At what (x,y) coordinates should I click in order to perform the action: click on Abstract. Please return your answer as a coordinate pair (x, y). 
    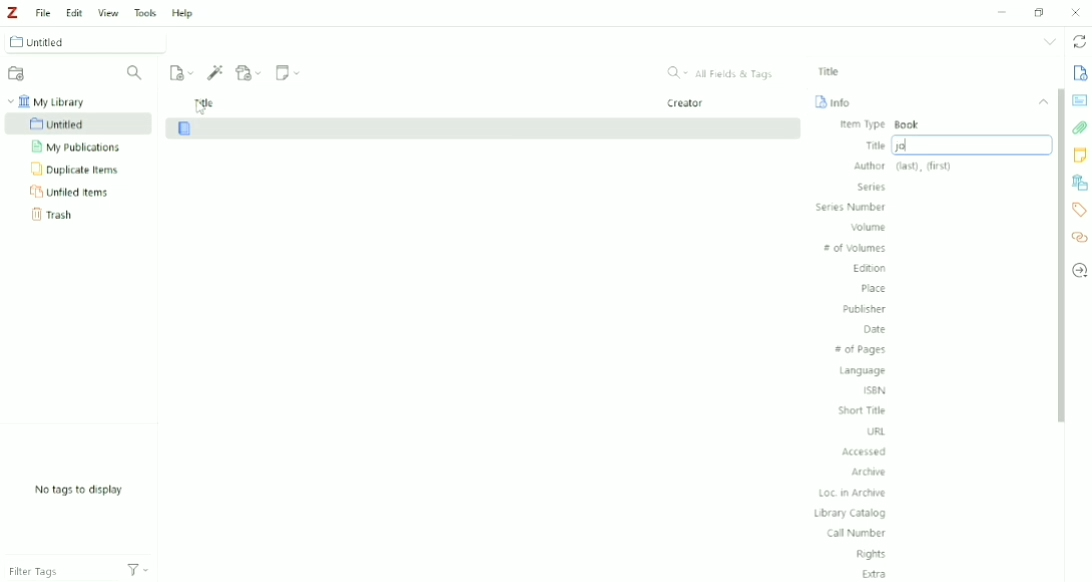
    Looking at the image, I should click on (1079, 100).